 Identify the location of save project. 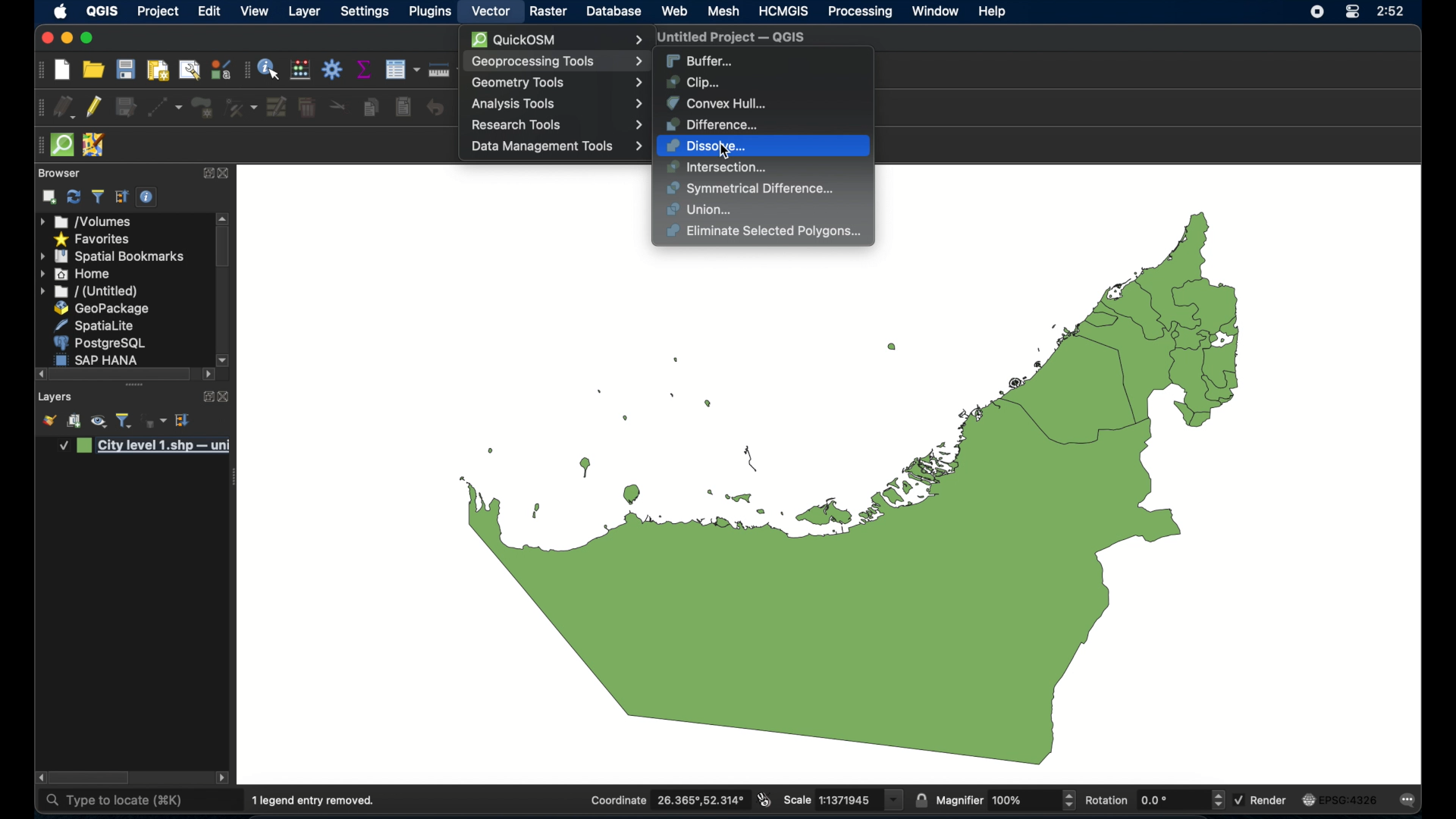
(127, 70).